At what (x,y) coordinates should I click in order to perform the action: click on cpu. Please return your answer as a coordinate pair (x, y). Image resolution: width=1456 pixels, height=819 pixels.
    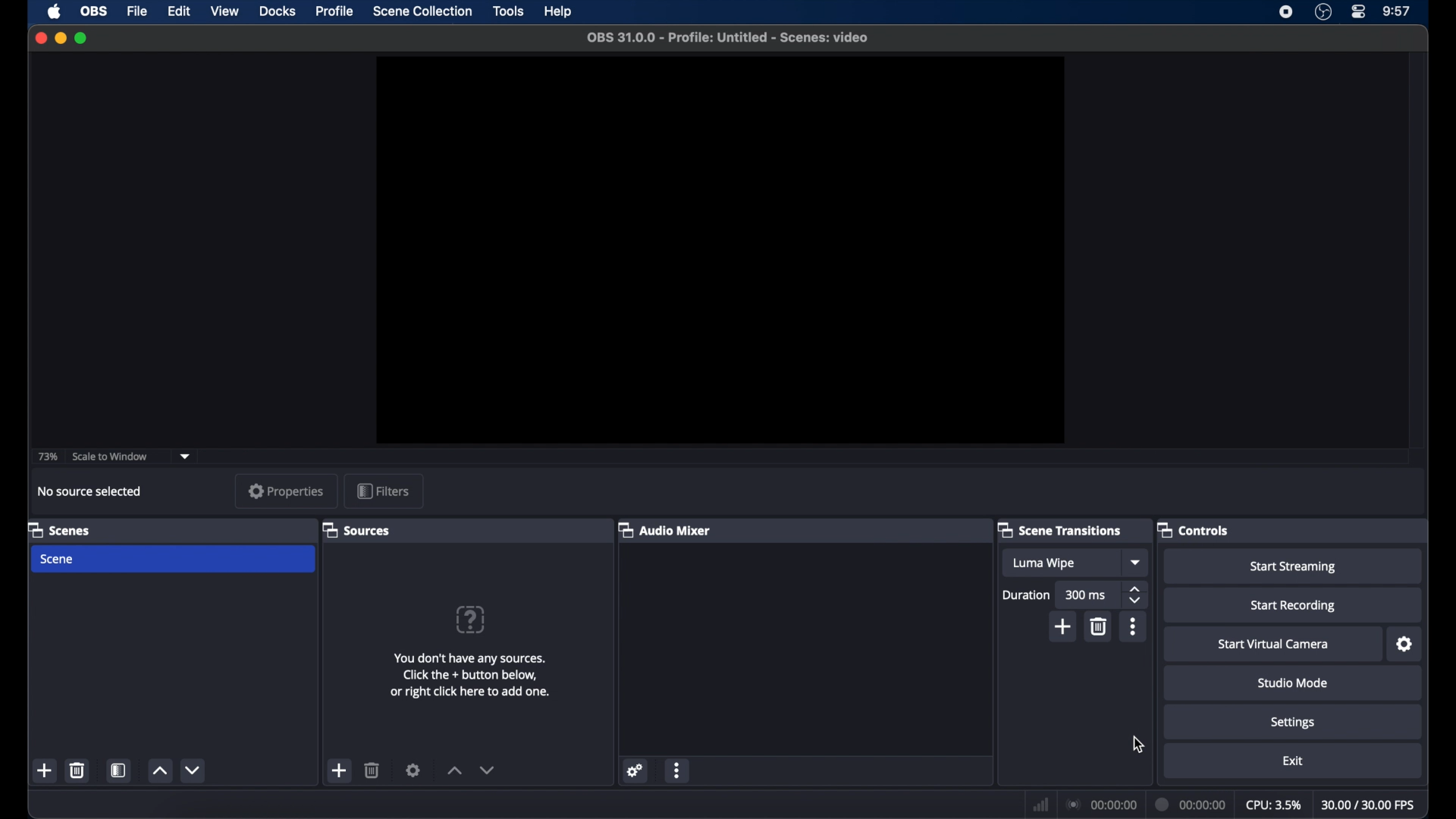
    Looking at the image, I should click on (1273, 804).